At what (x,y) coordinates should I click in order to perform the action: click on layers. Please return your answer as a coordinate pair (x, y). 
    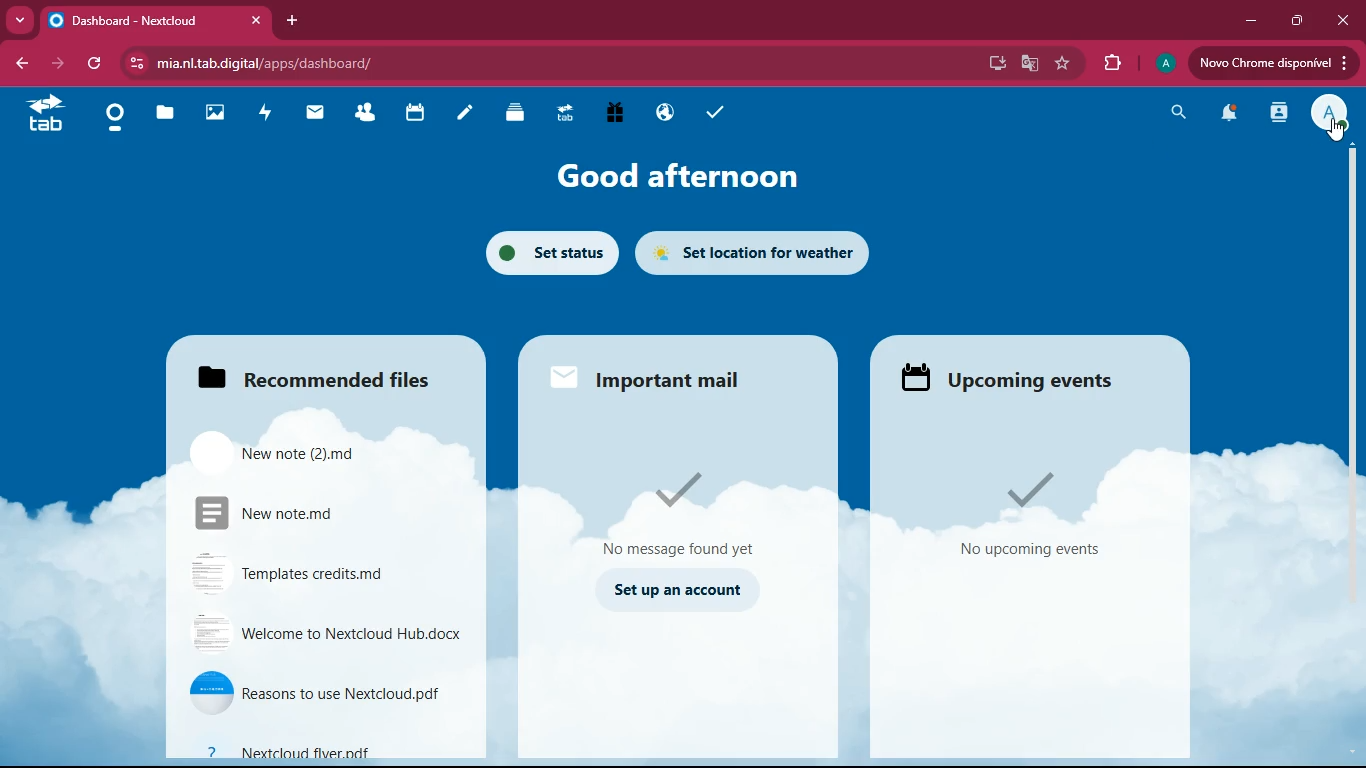
    Looking at the image, I should click on (518, 115).